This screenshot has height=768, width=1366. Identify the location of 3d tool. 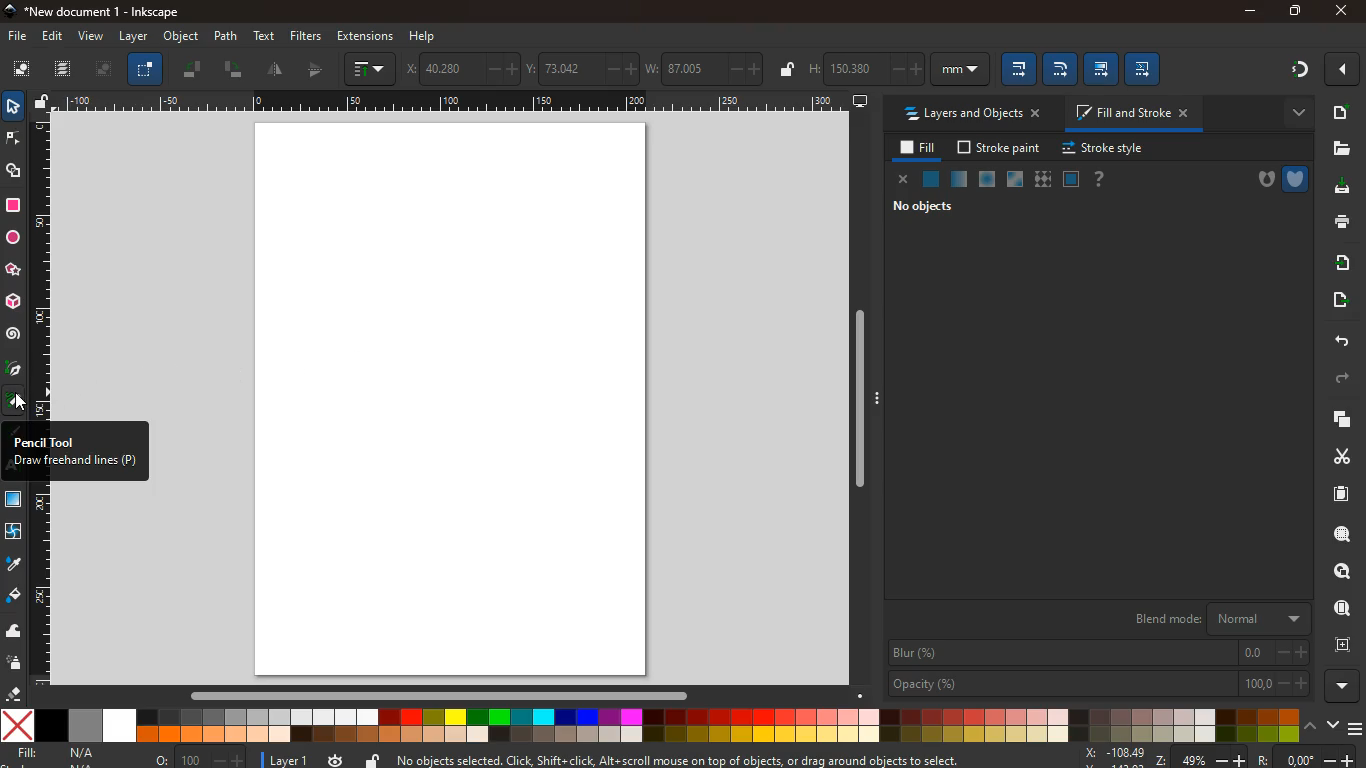
(15, 302).